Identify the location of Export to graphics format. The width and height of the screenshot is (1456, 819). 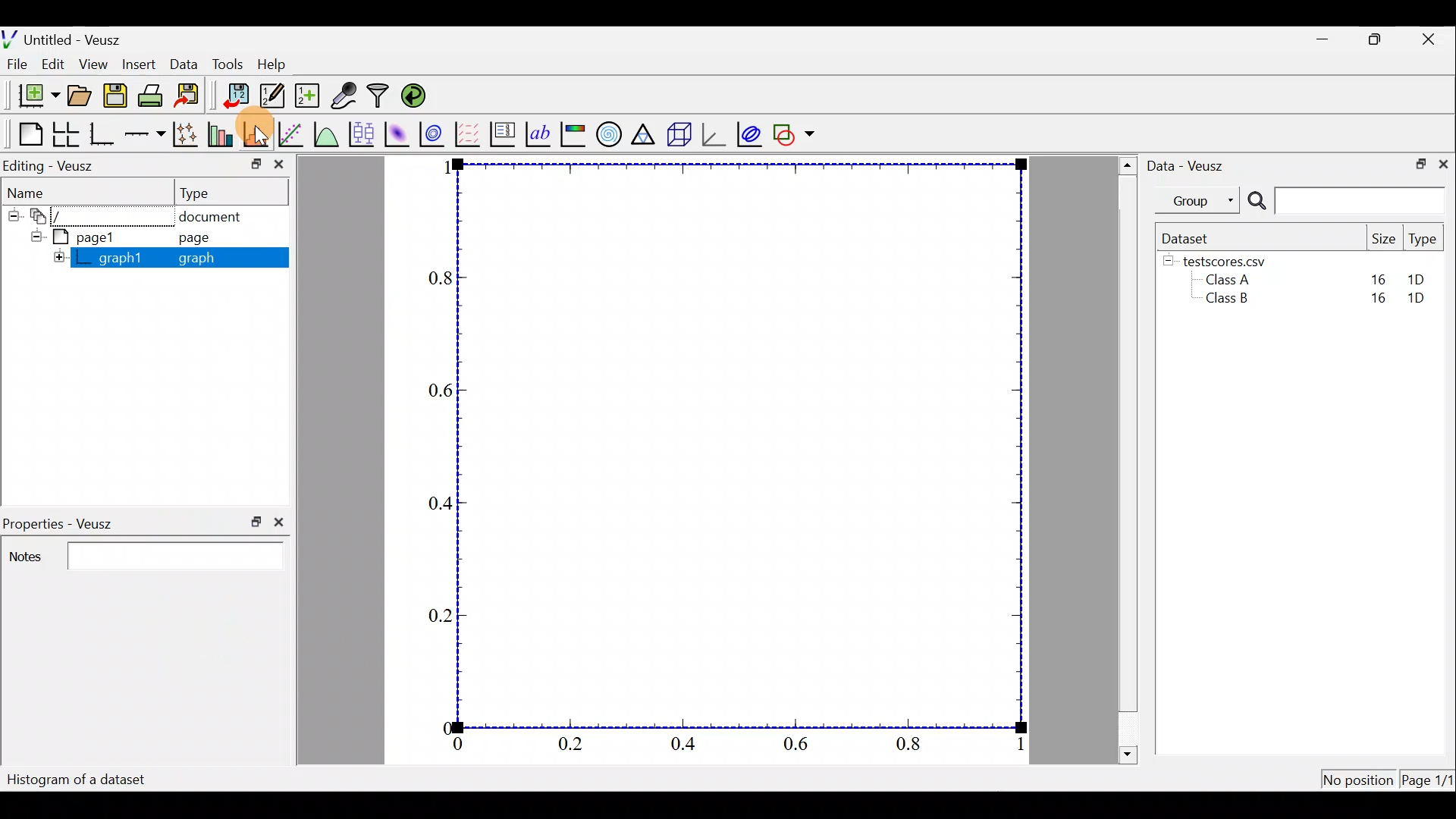
(190, 96).